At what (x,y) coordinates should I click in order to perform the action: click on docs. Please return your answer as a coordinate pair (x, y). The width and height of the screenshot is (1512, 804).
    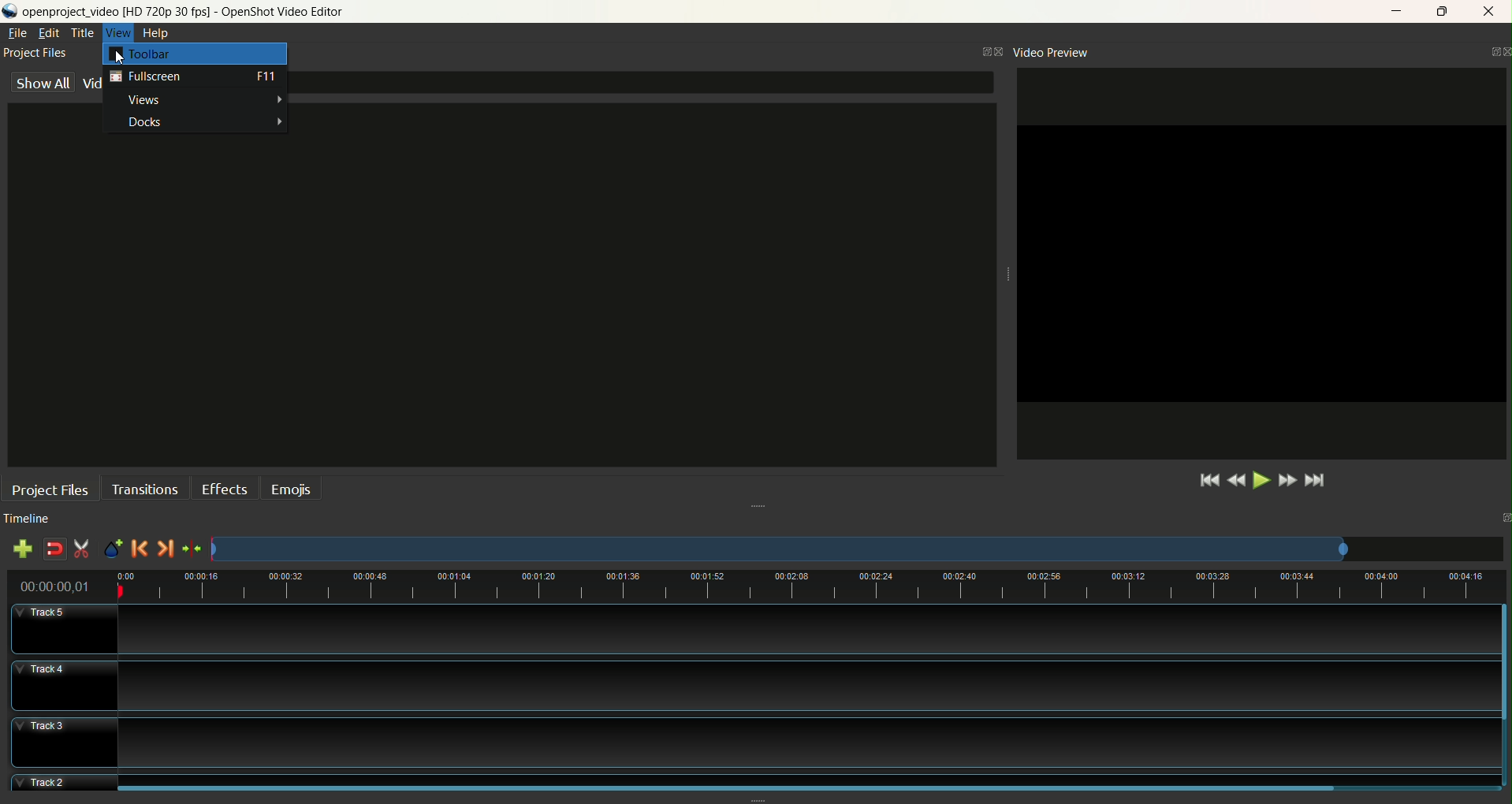
    Looking at the image, I should click on (197, 123).